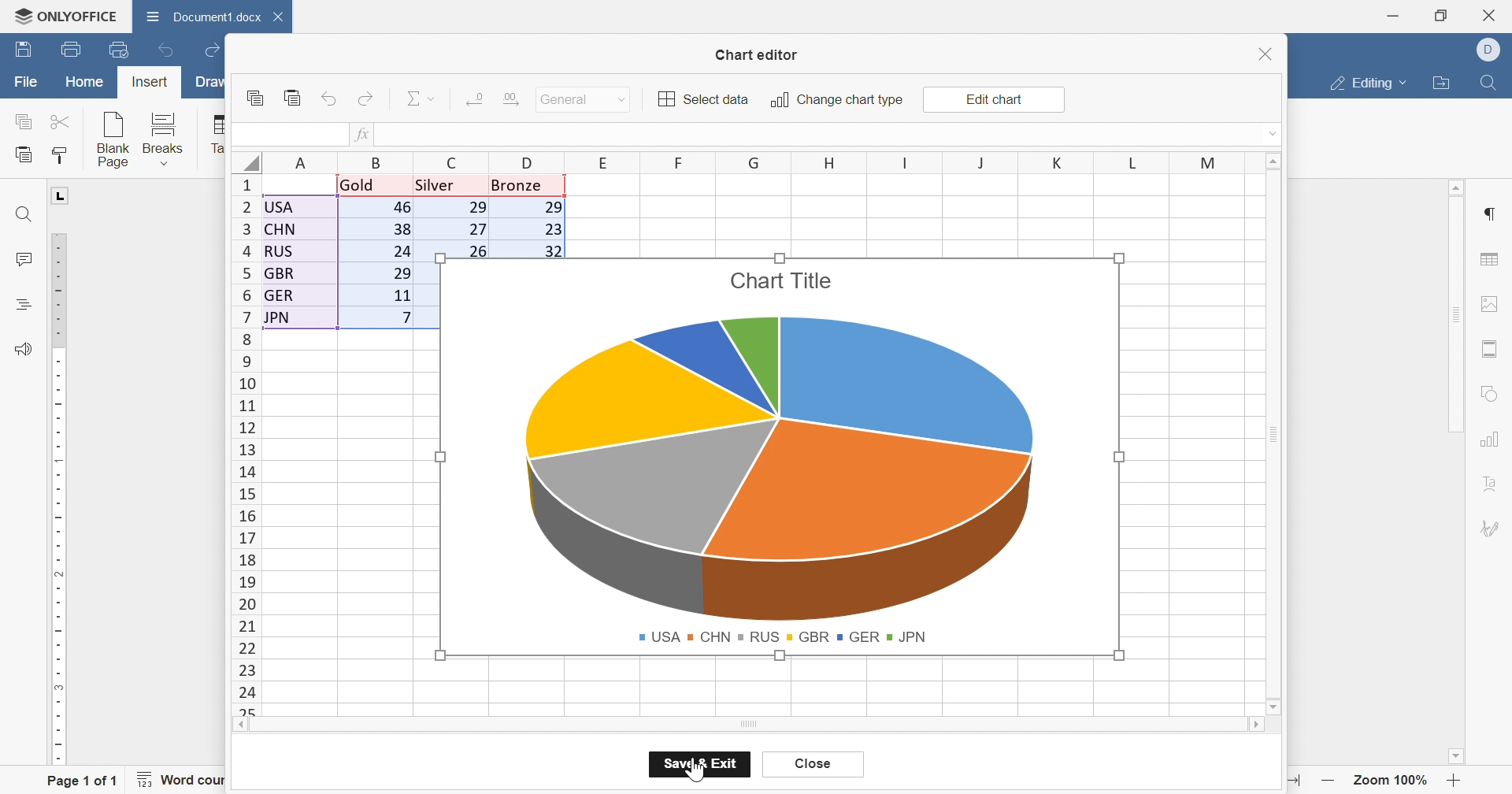  What do you see at coordinates (117, 50) in the screenshot?
I see `Quick print` at bounding box center [117, 50].